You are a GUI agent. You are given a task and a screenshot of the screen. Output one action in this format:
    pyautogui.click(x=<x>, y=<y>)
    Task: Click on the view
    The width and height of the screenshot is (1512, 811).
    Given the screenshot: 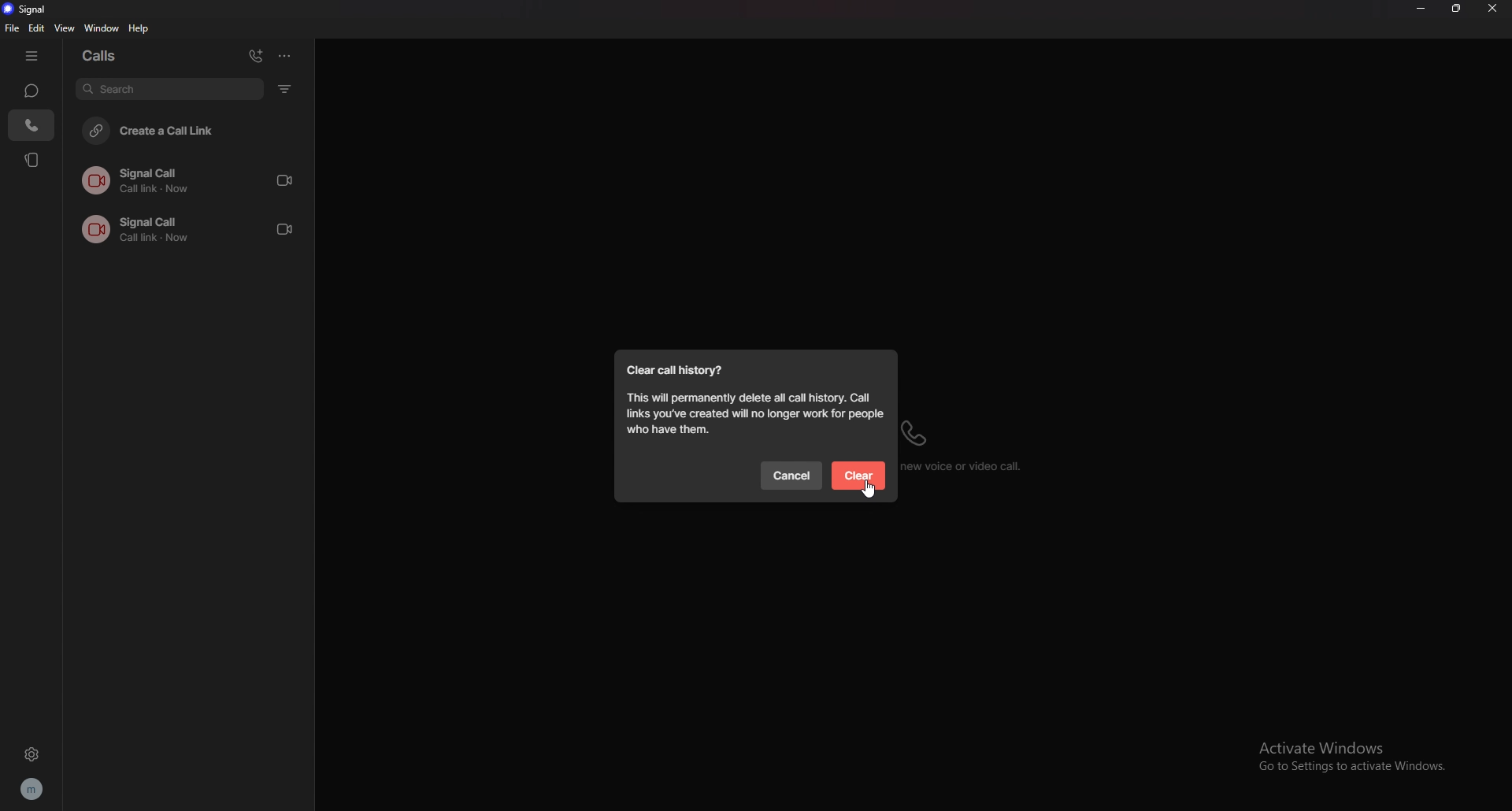 What is the action you would take?
    pyautogui.click(x=66, y=28)
    